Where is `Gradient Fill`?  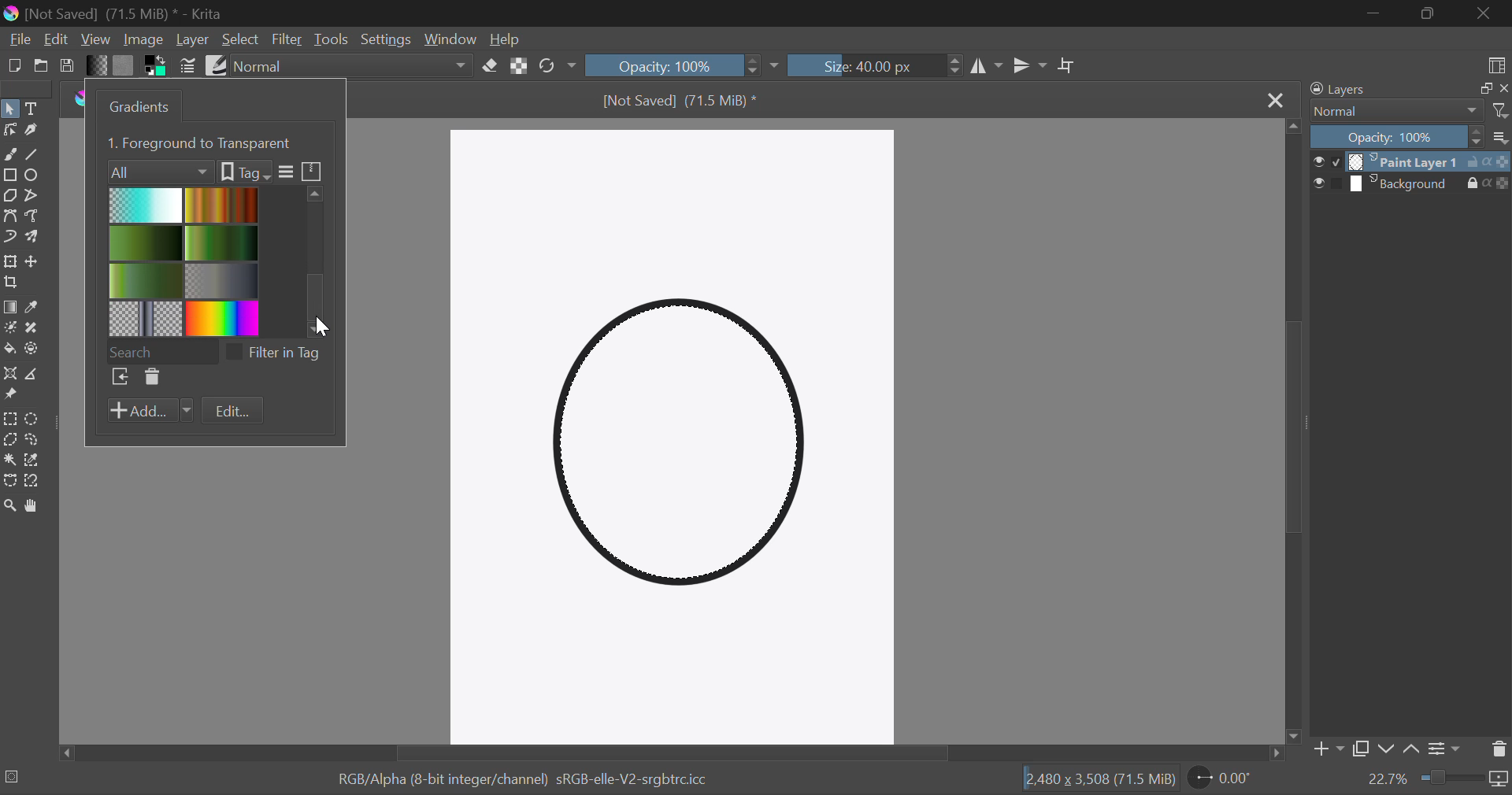 Gradient Fill is located at coordinates (10, 308).